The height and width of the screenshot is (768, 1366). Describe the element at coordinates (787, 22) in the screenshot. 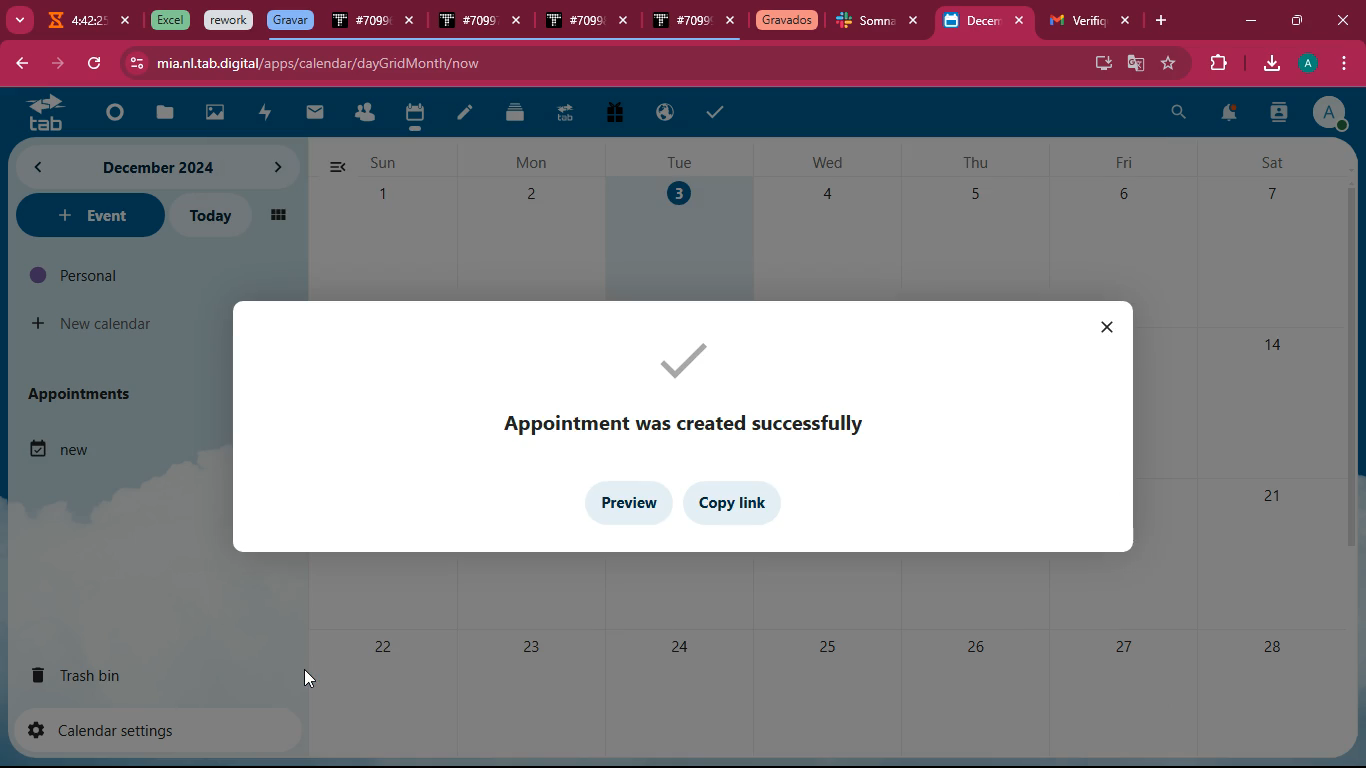

I see `tab` at that location.